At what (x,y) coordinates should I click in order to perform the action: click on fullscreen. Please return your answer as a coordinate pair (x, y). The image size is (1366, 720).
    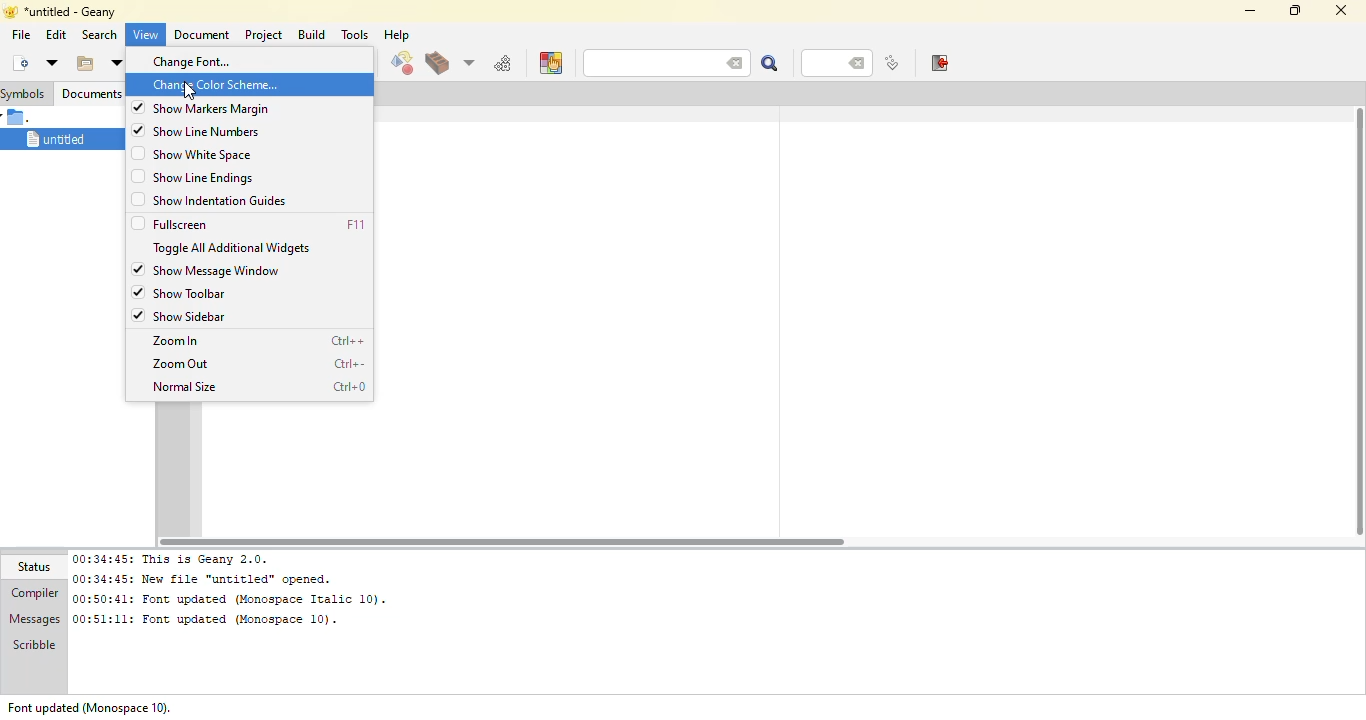
    Looking at the image, I should click on (186, 223).